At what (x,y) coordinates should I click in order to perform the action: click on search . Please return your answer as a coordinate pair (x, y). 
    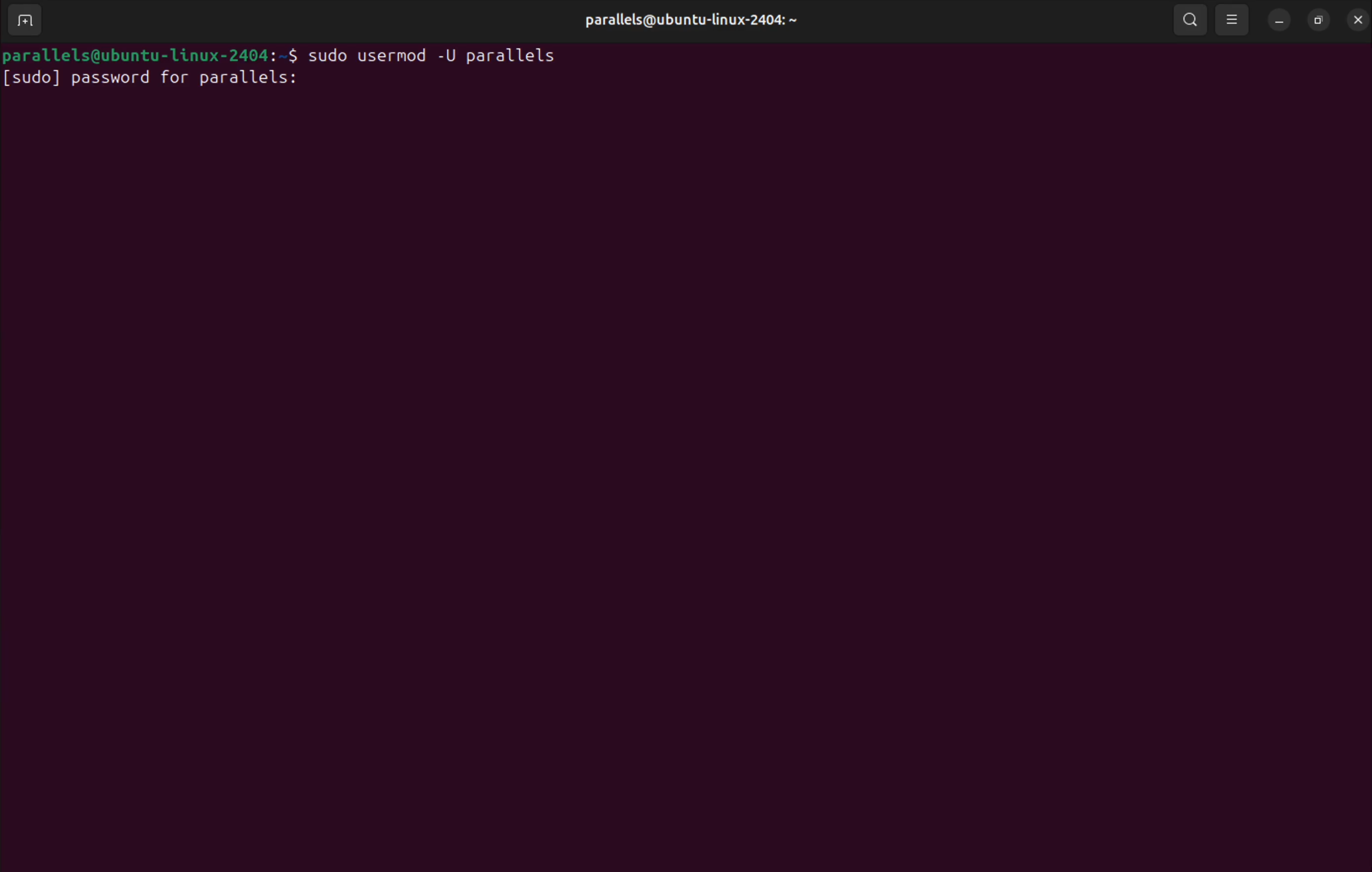
    Looking at the image, I should click on (1190, 19).